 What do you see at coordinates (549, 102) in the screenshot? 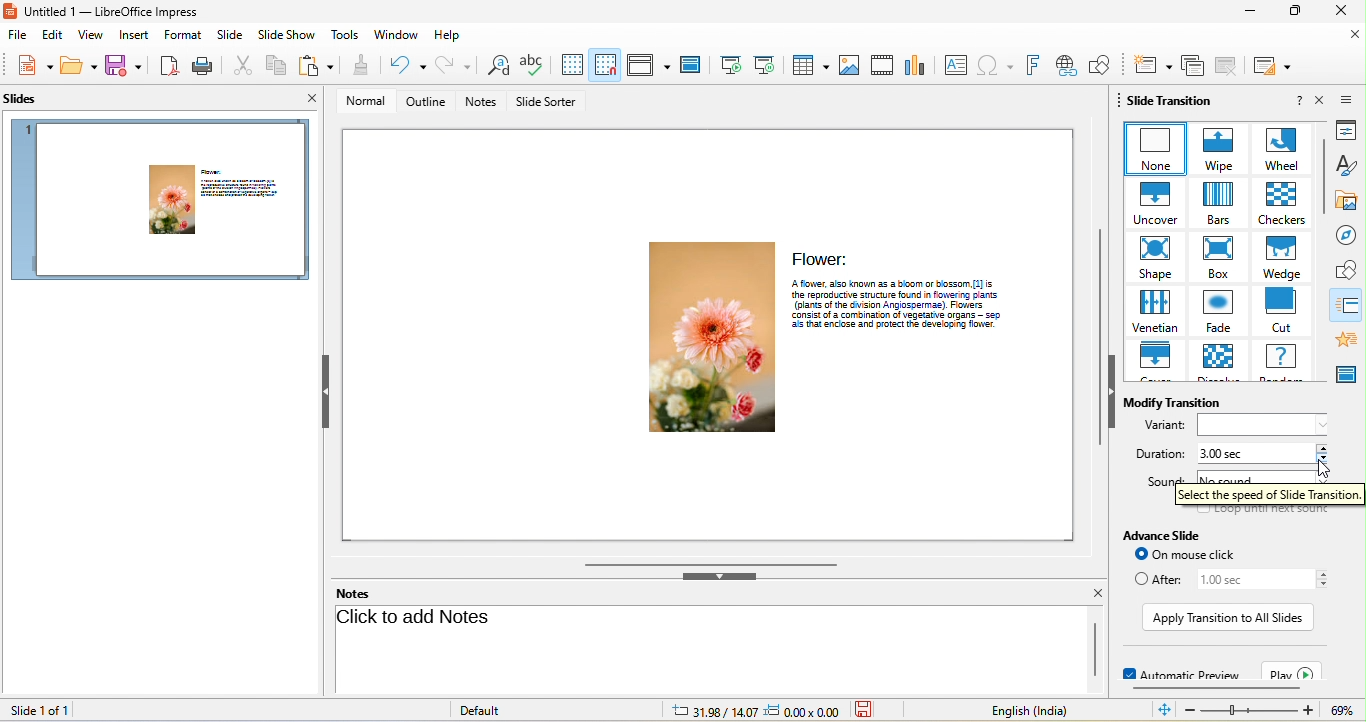
I see `slide sorter` at bounding box center [549, 102].